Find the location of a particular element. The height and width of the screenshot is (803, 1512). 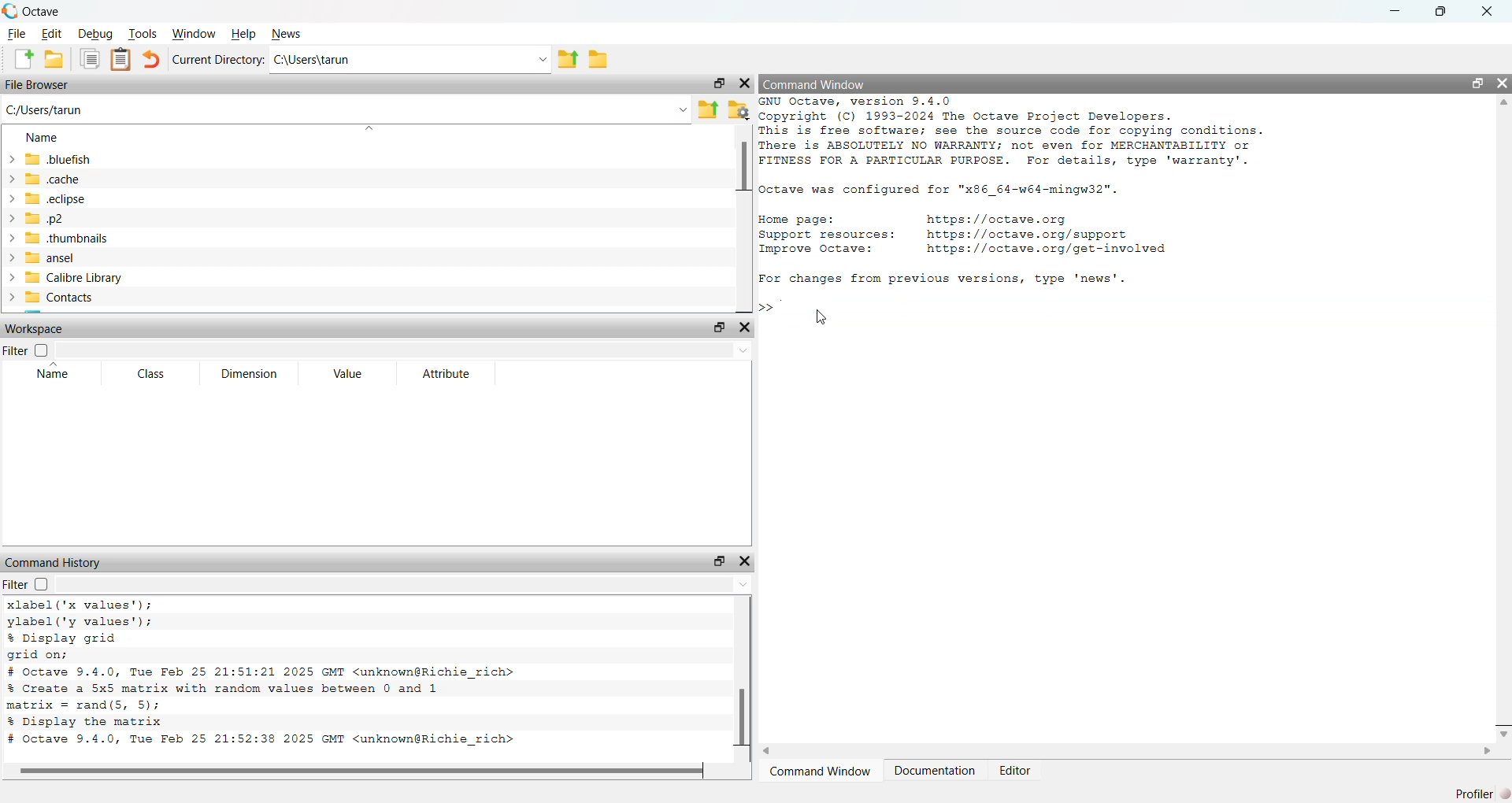

bluefish is located at coordinates (52, 159).